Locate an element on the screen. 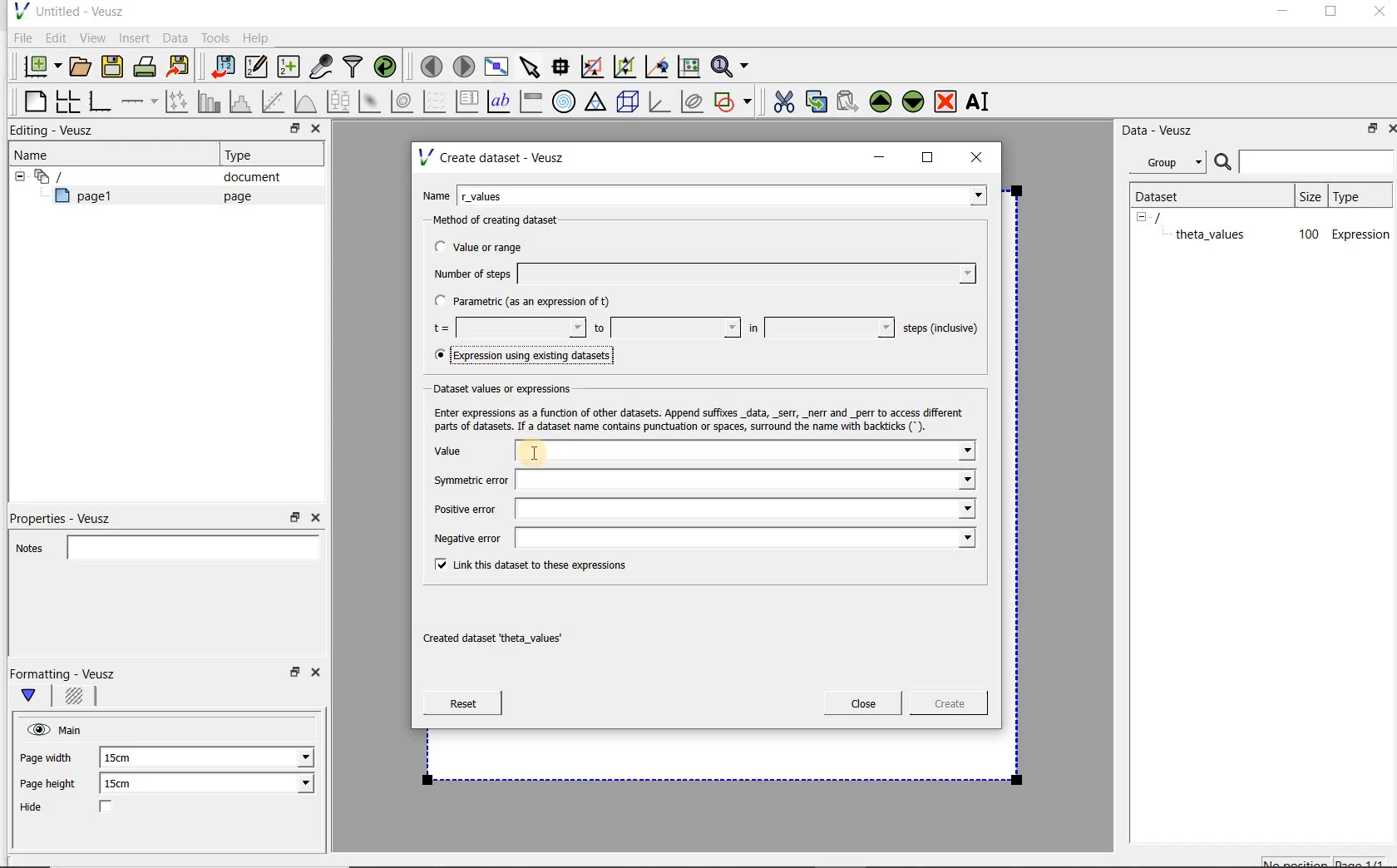 Image resolution: width=1397 pixels, height=868 pixels. click to recenter graph axes is located at coordinates (658, 67).